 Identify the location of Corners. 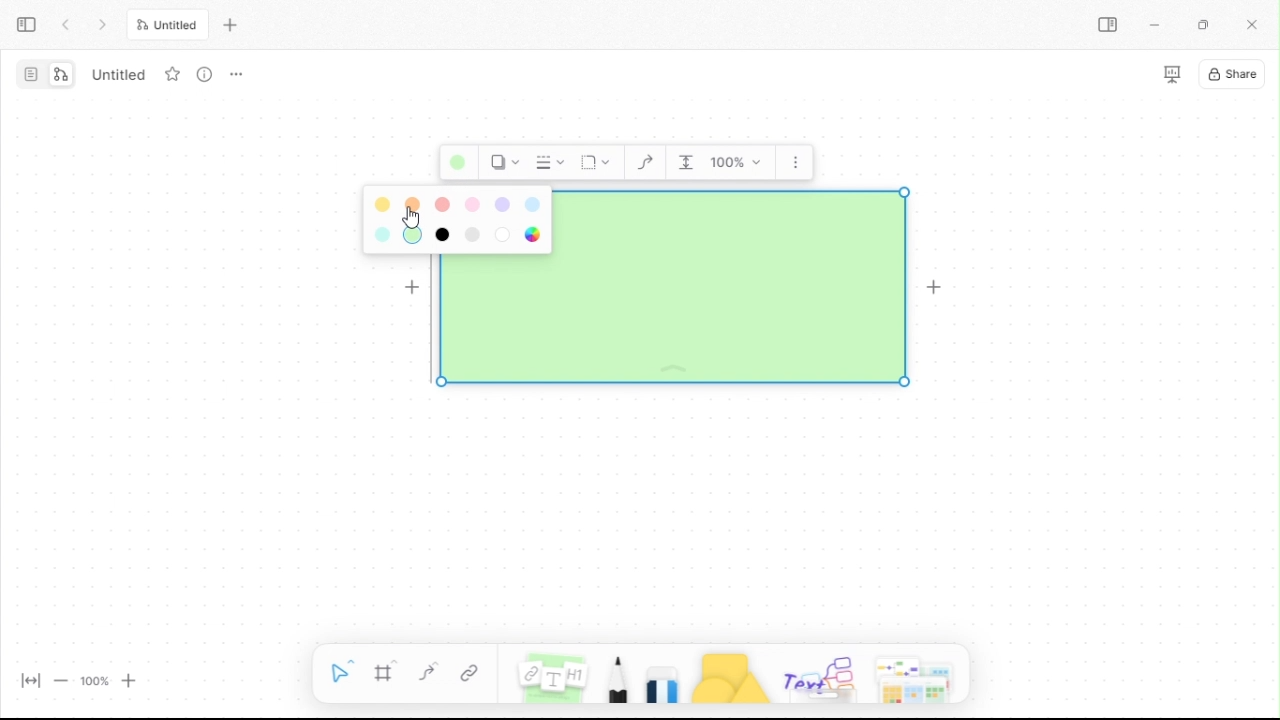
(596, 164).